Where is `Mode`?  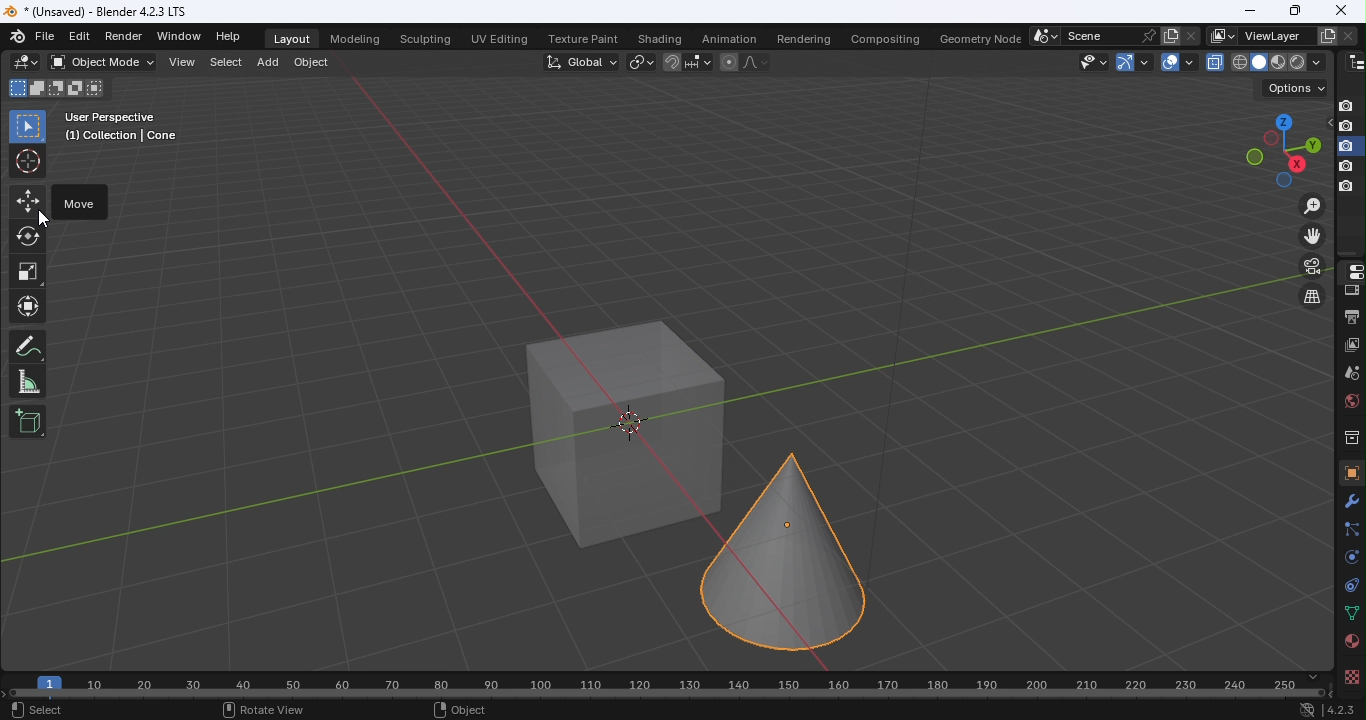 Mode is located at coordinates (99, 88).